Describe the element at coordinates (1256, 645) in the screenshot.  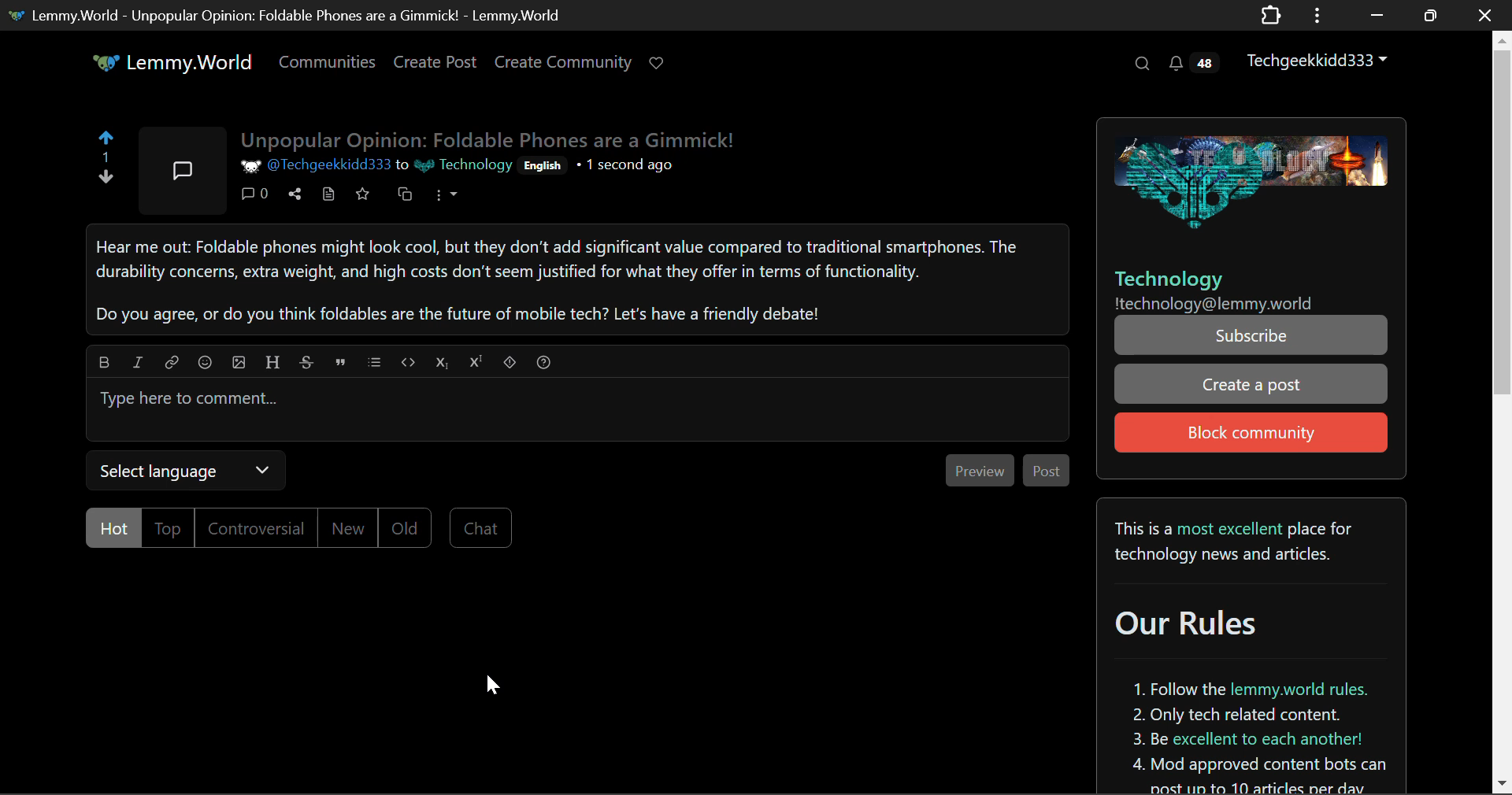
I see `Community Rules` at that location.